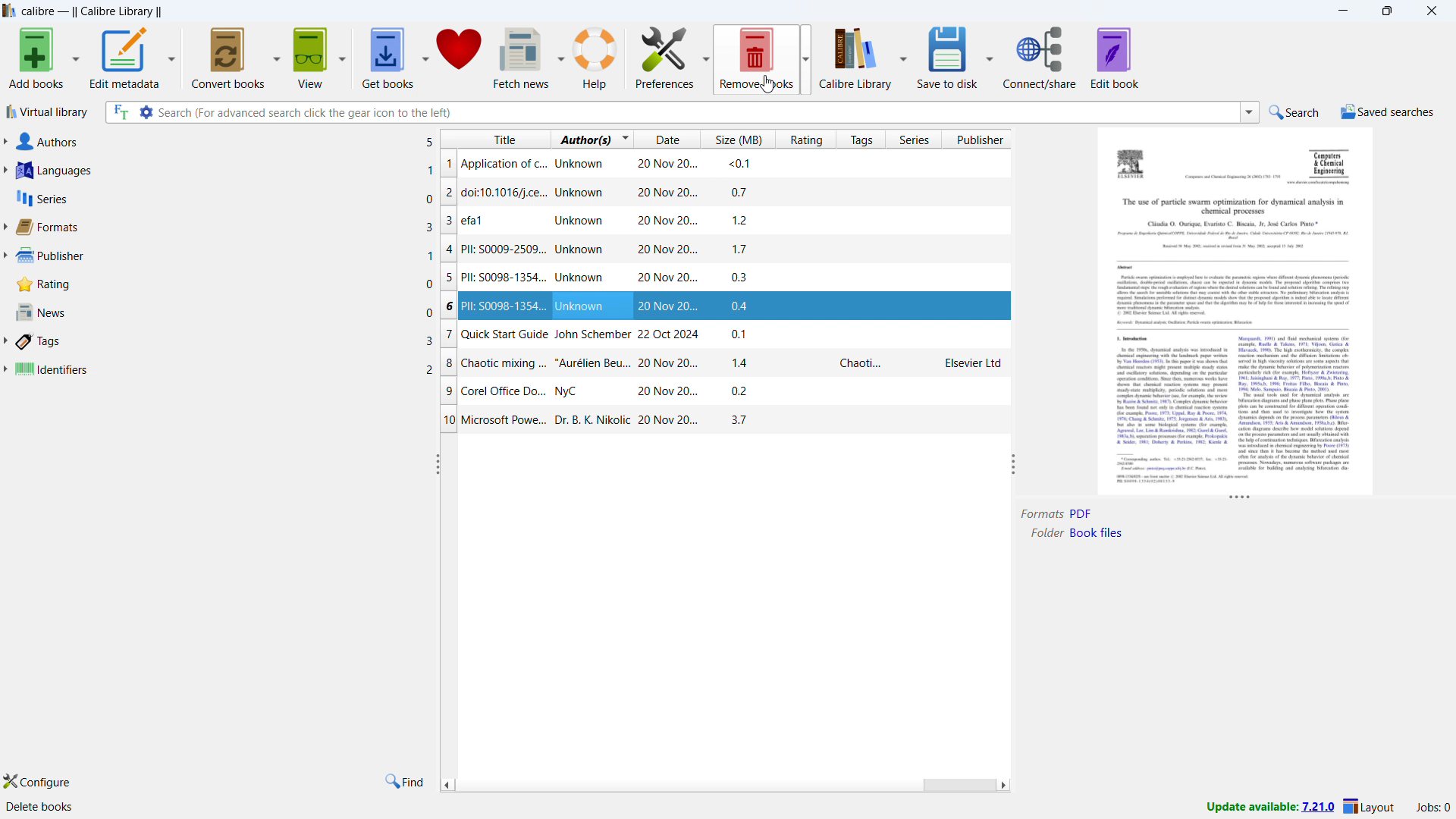  Describe the element at coordinates (224, 198) in the screenshot. I see `series` at that location.